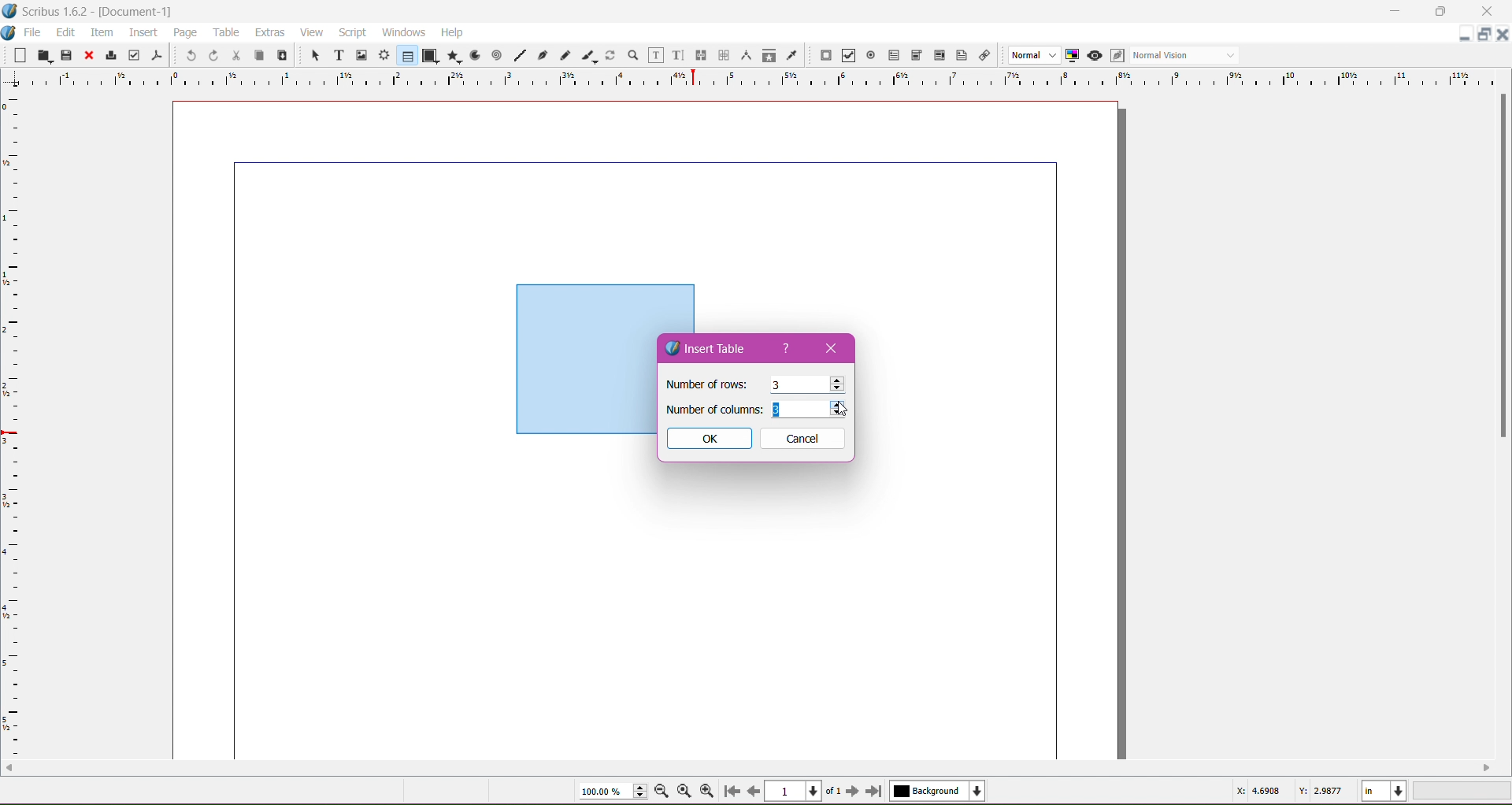  What do you see at coordinates (748, 767) in the screenshot?
I see `scroll bAR` at bounding box center [748, 767].